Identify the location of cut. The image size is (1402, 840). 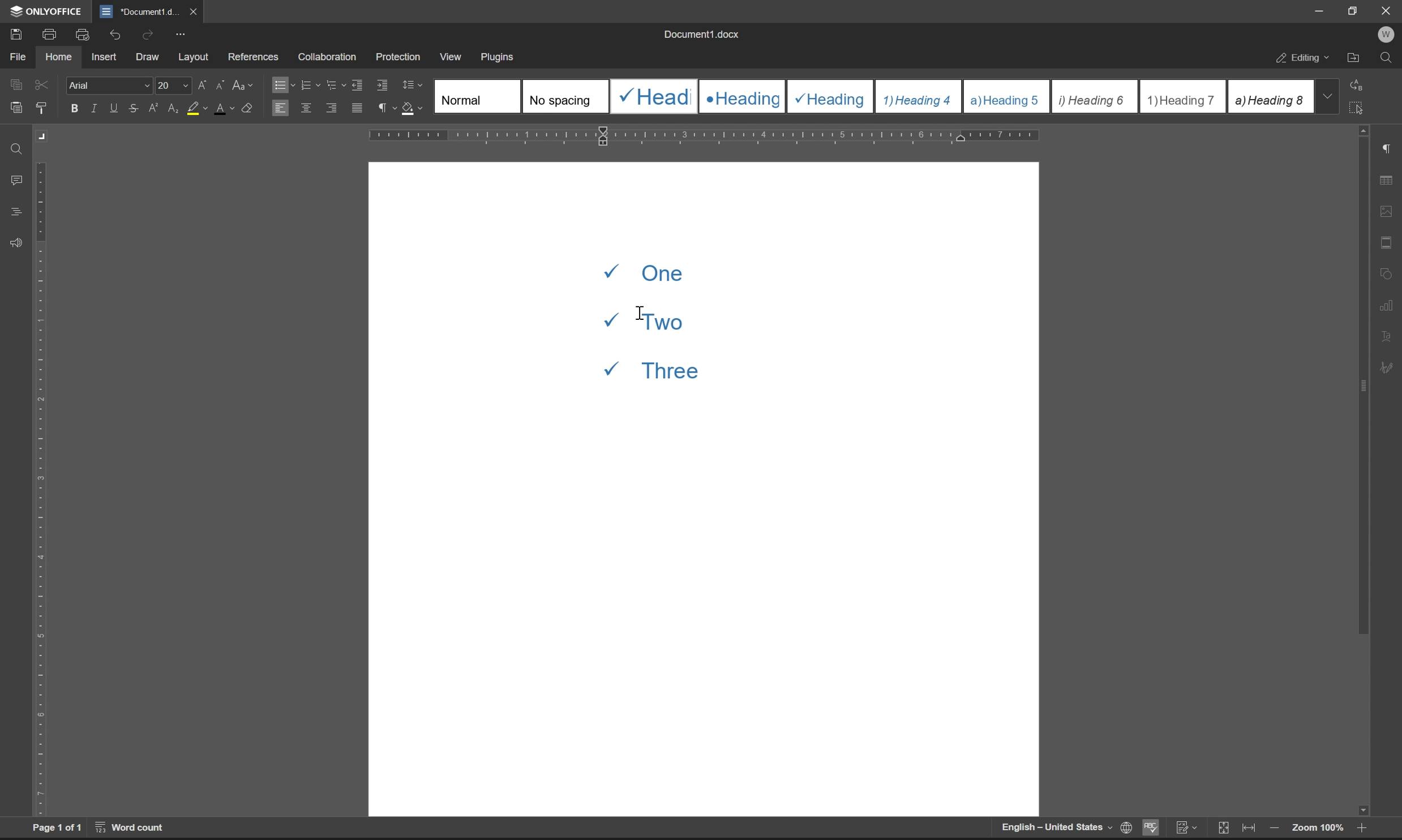
(43, 84).